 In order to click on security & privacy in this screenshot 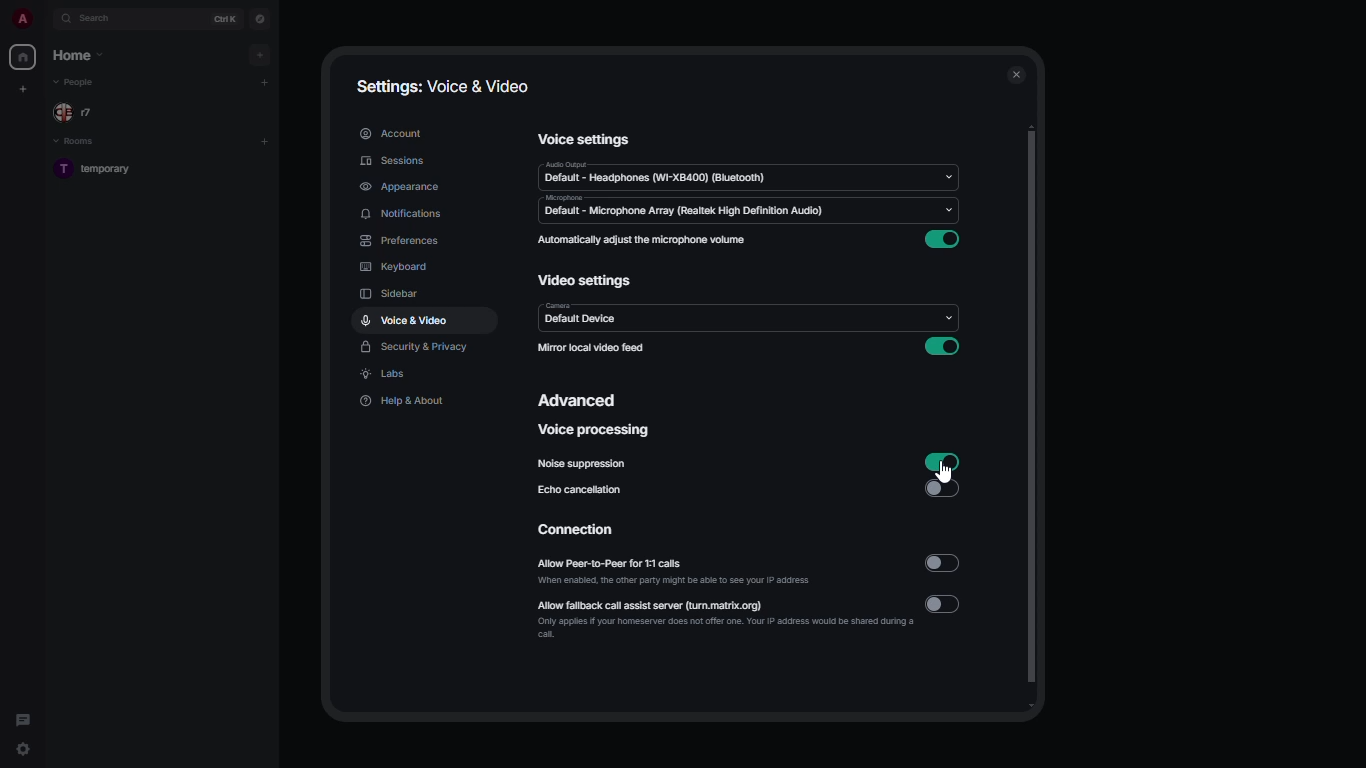, I will do `click(413, 348)`.